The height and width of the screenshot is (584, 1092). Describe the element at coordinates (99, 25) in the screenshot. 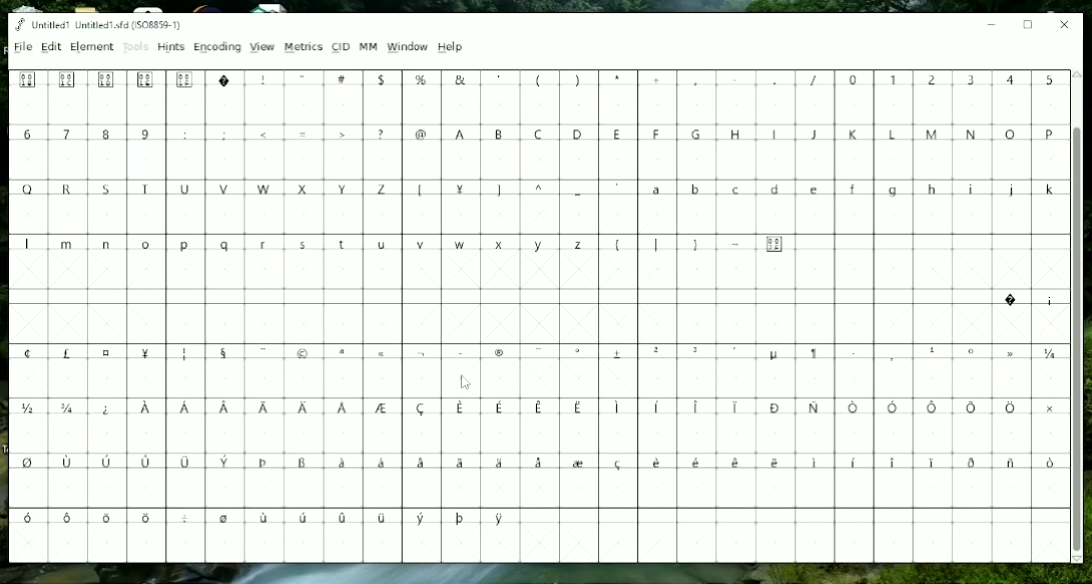

I see `Title` at that location.